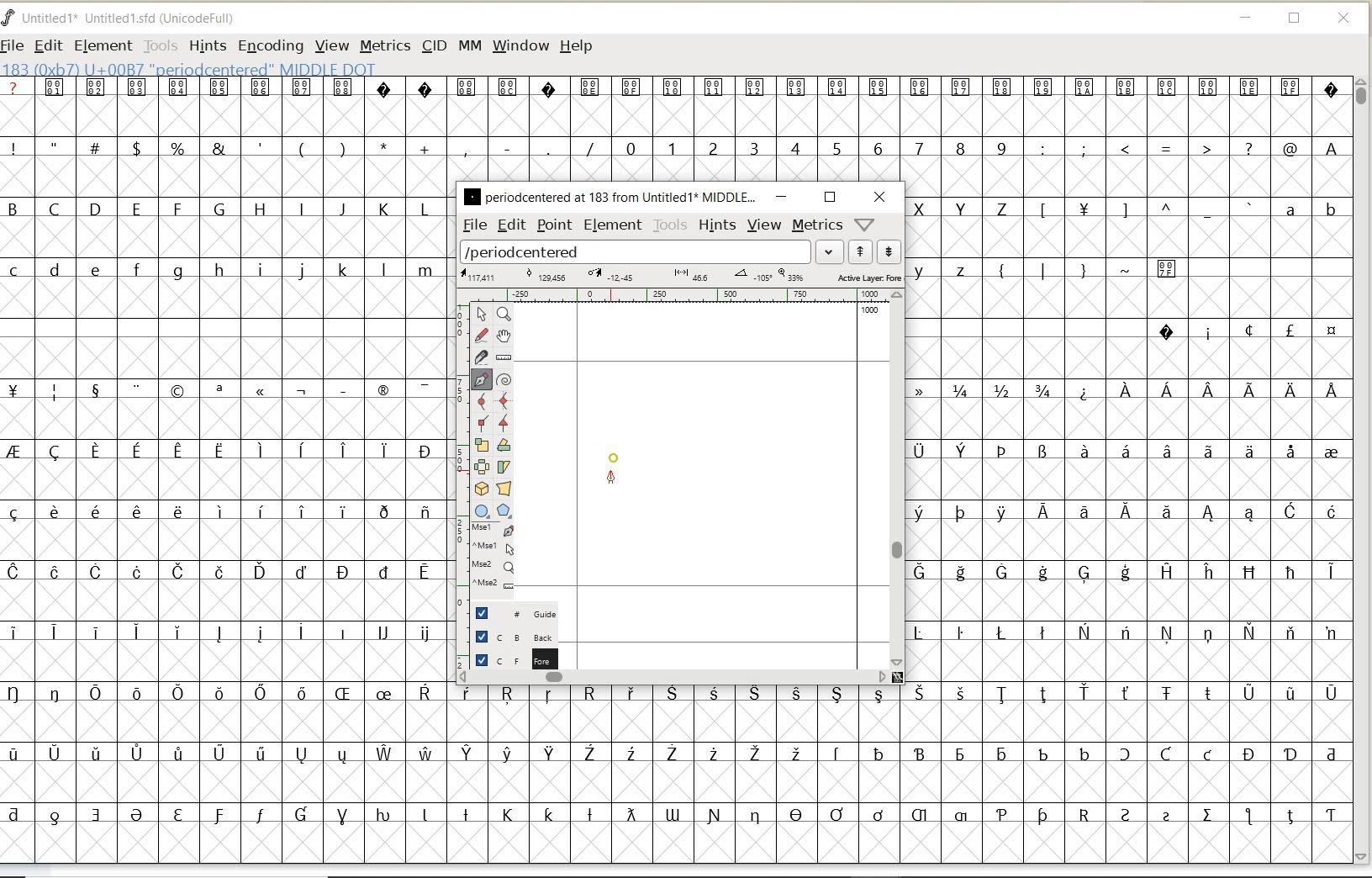  Describe the element at coordinates (868, 312) in the screenshot. I see `1000` at that location.